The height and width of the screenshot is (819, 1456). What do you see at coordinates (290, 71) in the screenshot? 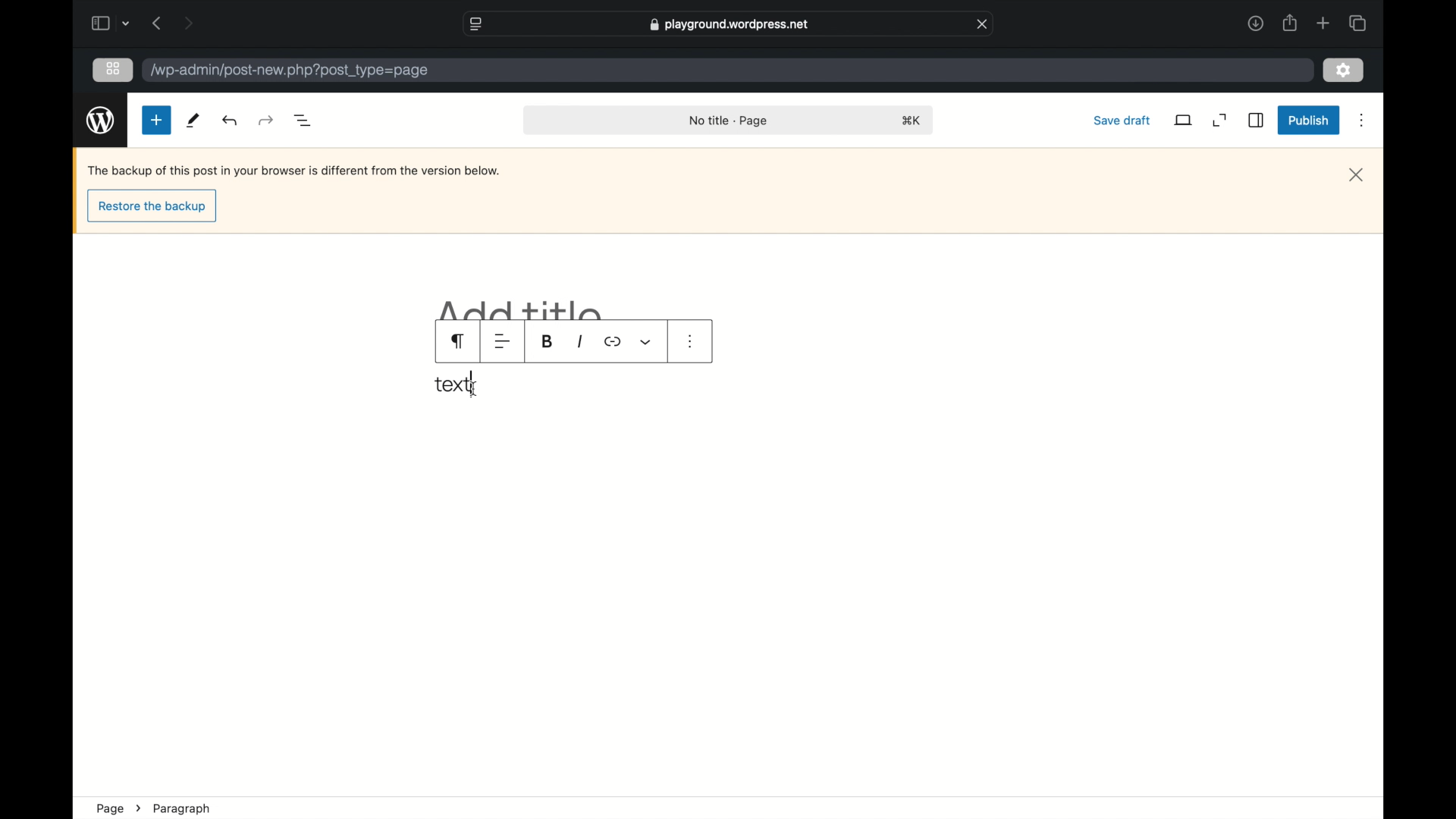
I see `wordpress address` at bounding box center [290, 71].